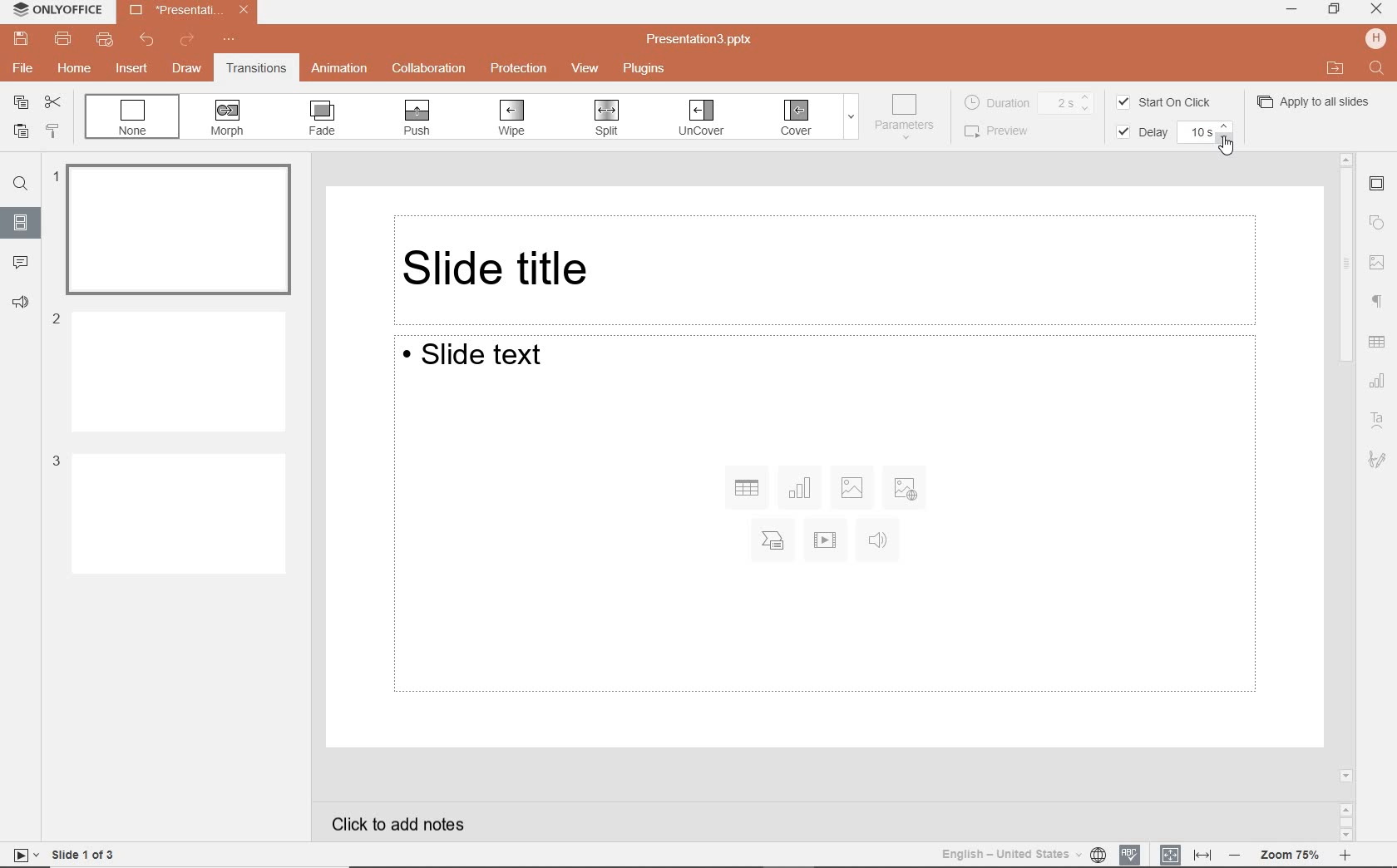  Describe the element at coordinates (1382, 462) in the screenshot. I see `Signature` at that location.